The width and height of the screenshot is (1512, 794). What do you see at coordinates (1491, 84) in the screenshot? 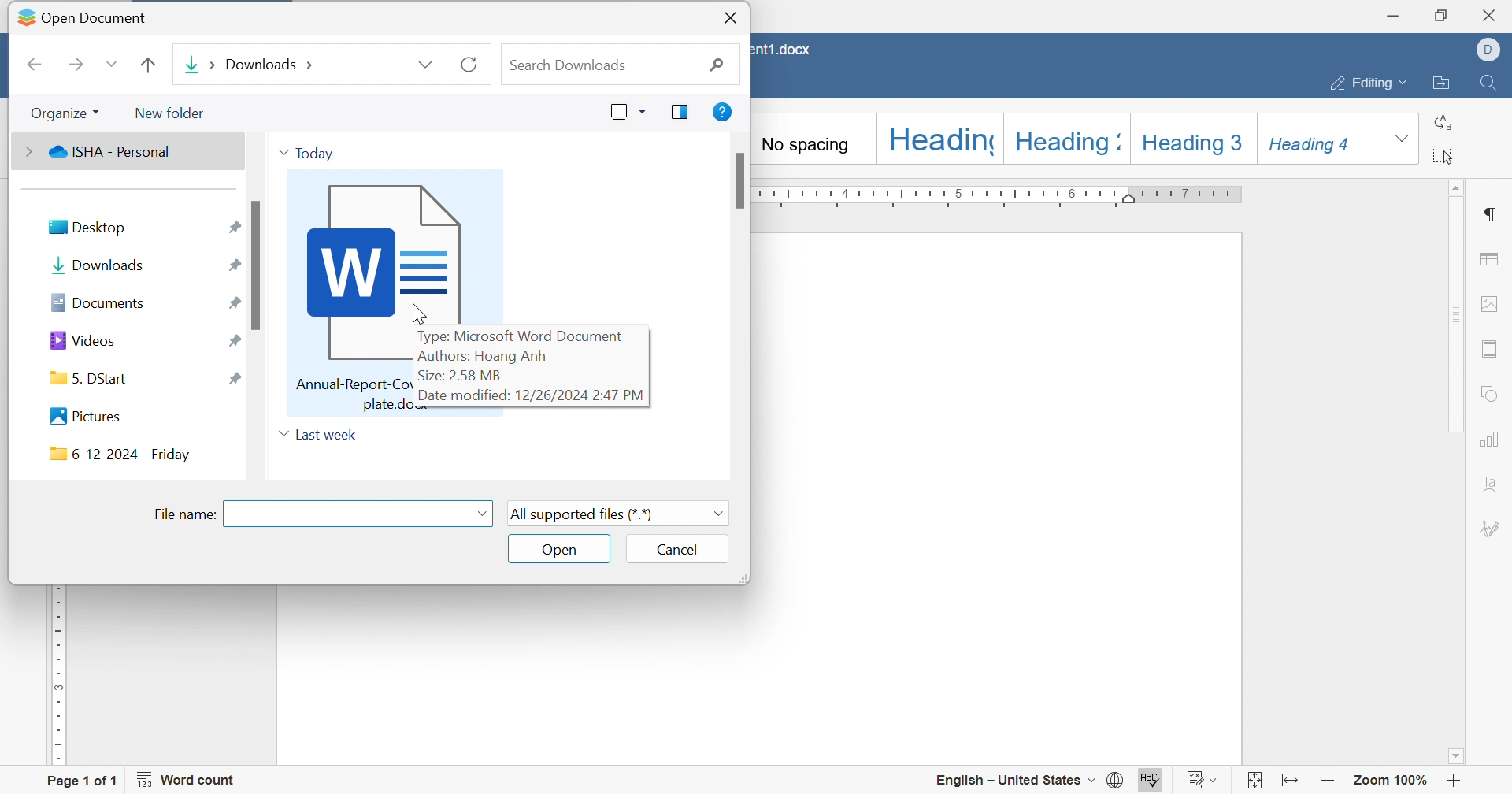
I see `find` at bounding box center [1491, 84].